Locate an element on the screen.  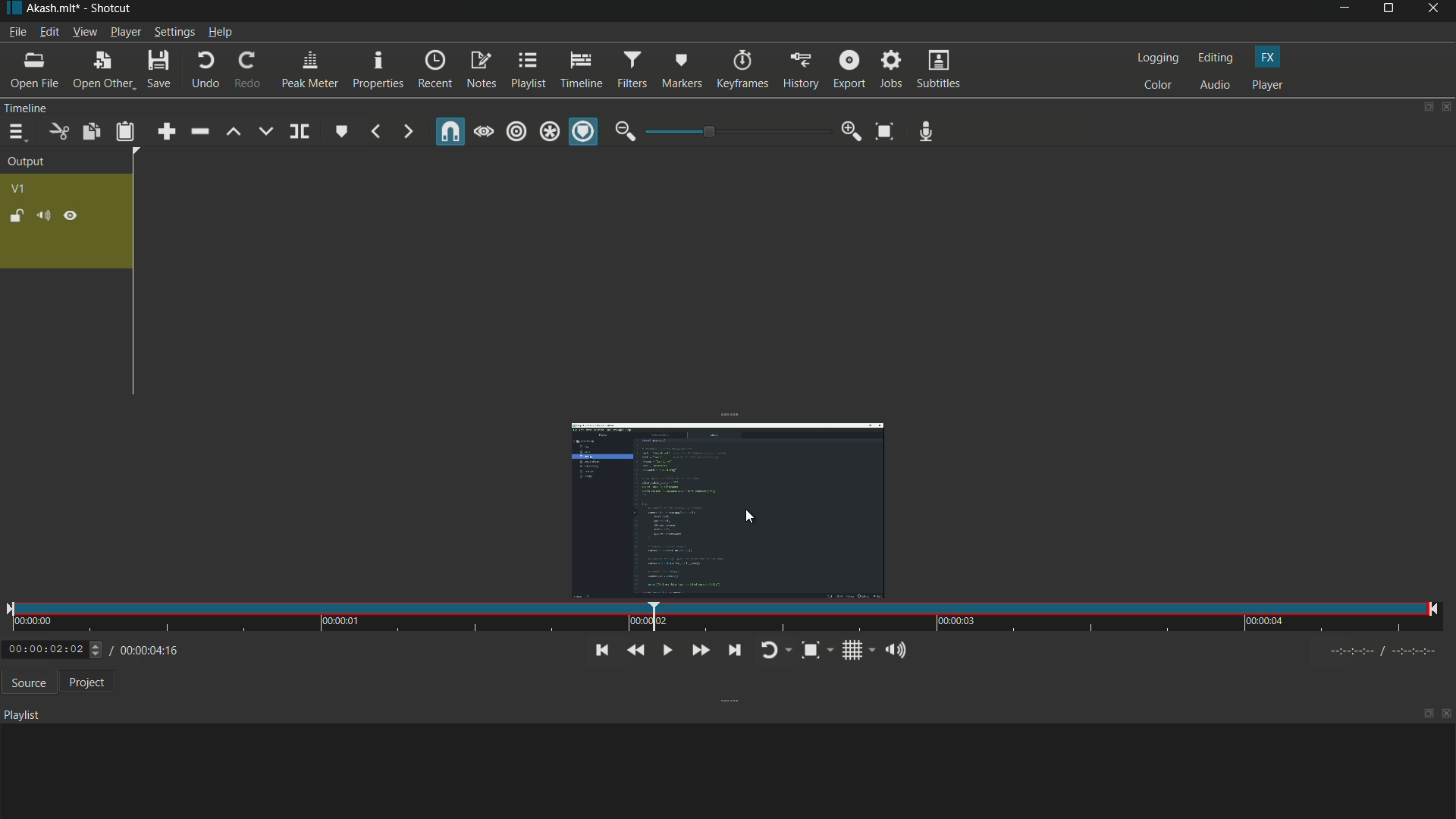
settings menu is located at coordinates (174, 32).